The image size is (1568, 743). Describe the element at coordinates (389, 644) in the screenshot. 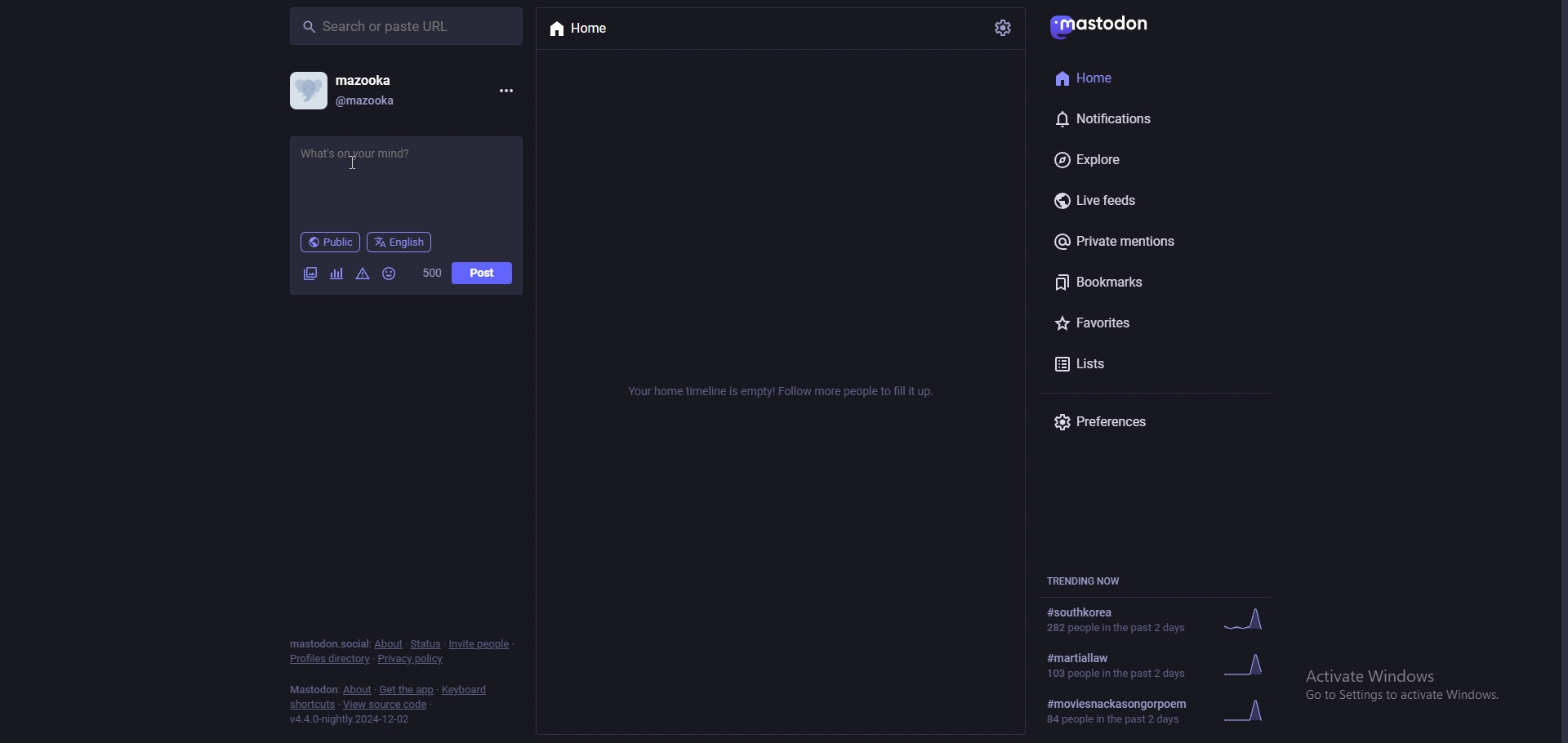

I see `about` at that location.